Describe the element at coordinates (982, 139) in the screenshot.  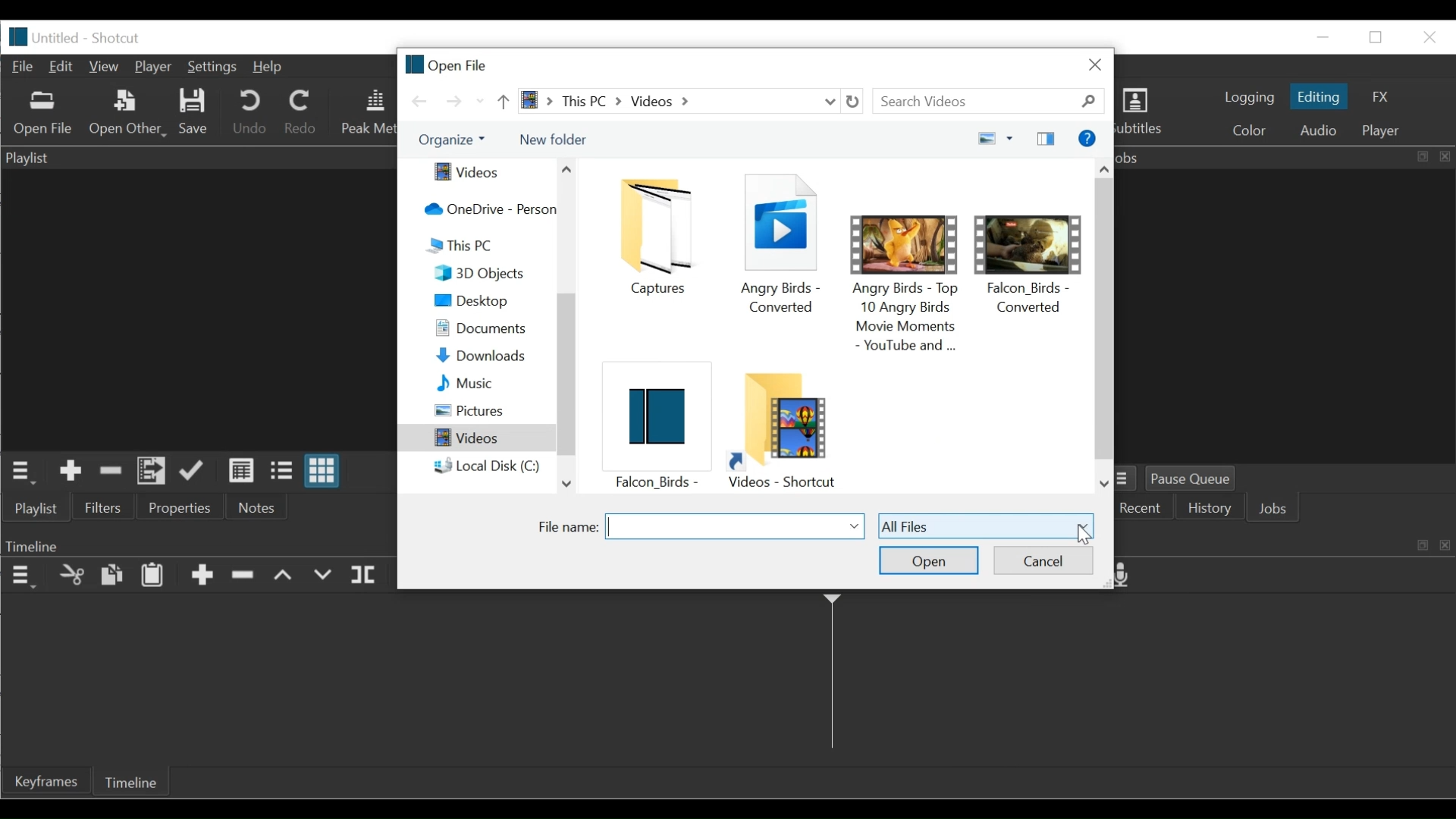
I see `change your view` at that location.